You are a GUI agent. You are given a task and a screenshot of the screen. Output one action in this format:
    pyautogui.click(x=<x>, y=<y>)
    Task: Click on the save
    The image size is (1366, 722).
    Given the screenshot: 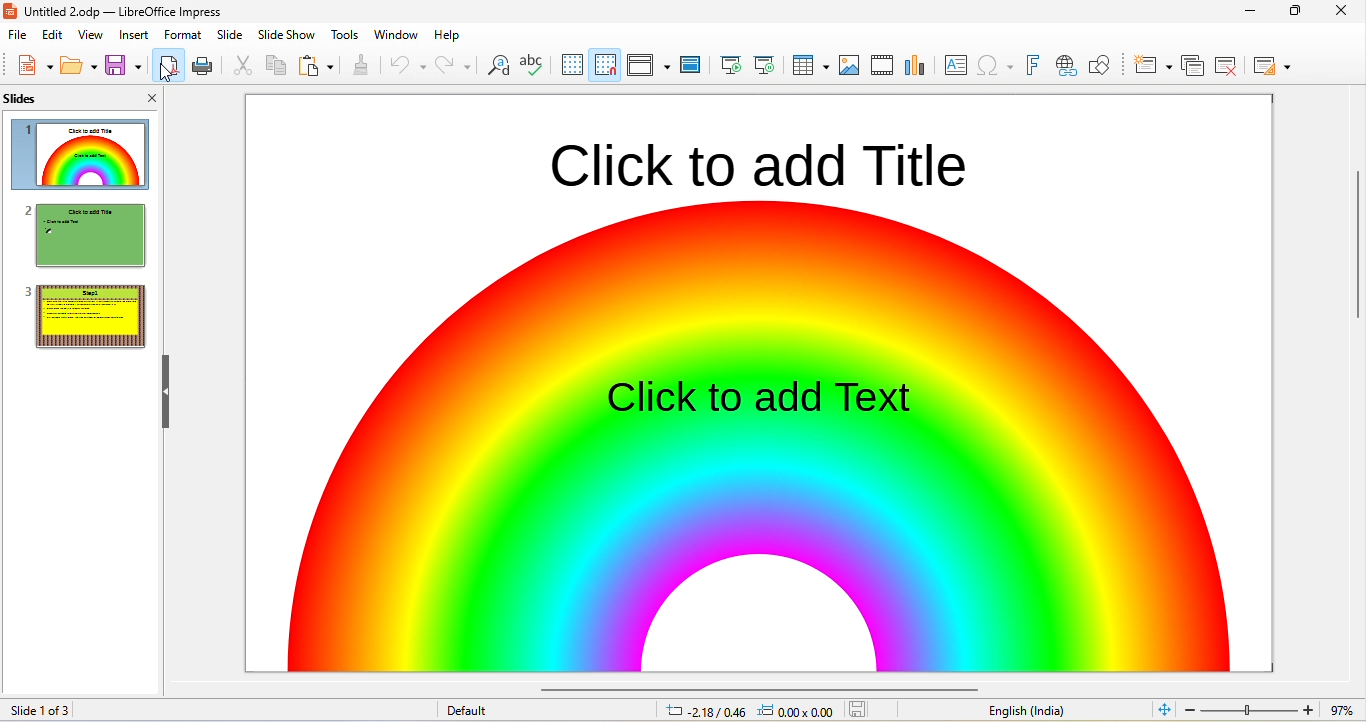 What is the action you would take?
    pyautogui.click(x=859, y=709)
    